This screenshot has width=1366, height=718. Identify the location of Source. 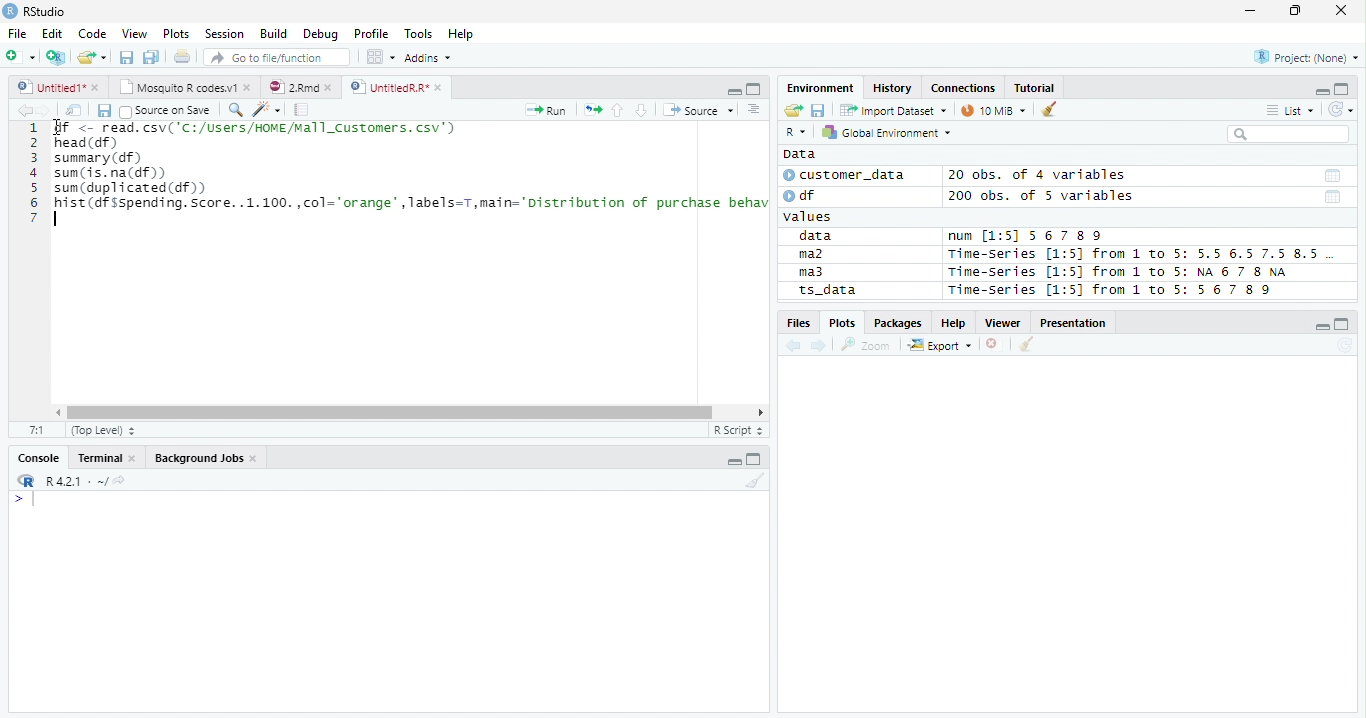
(696, 110).